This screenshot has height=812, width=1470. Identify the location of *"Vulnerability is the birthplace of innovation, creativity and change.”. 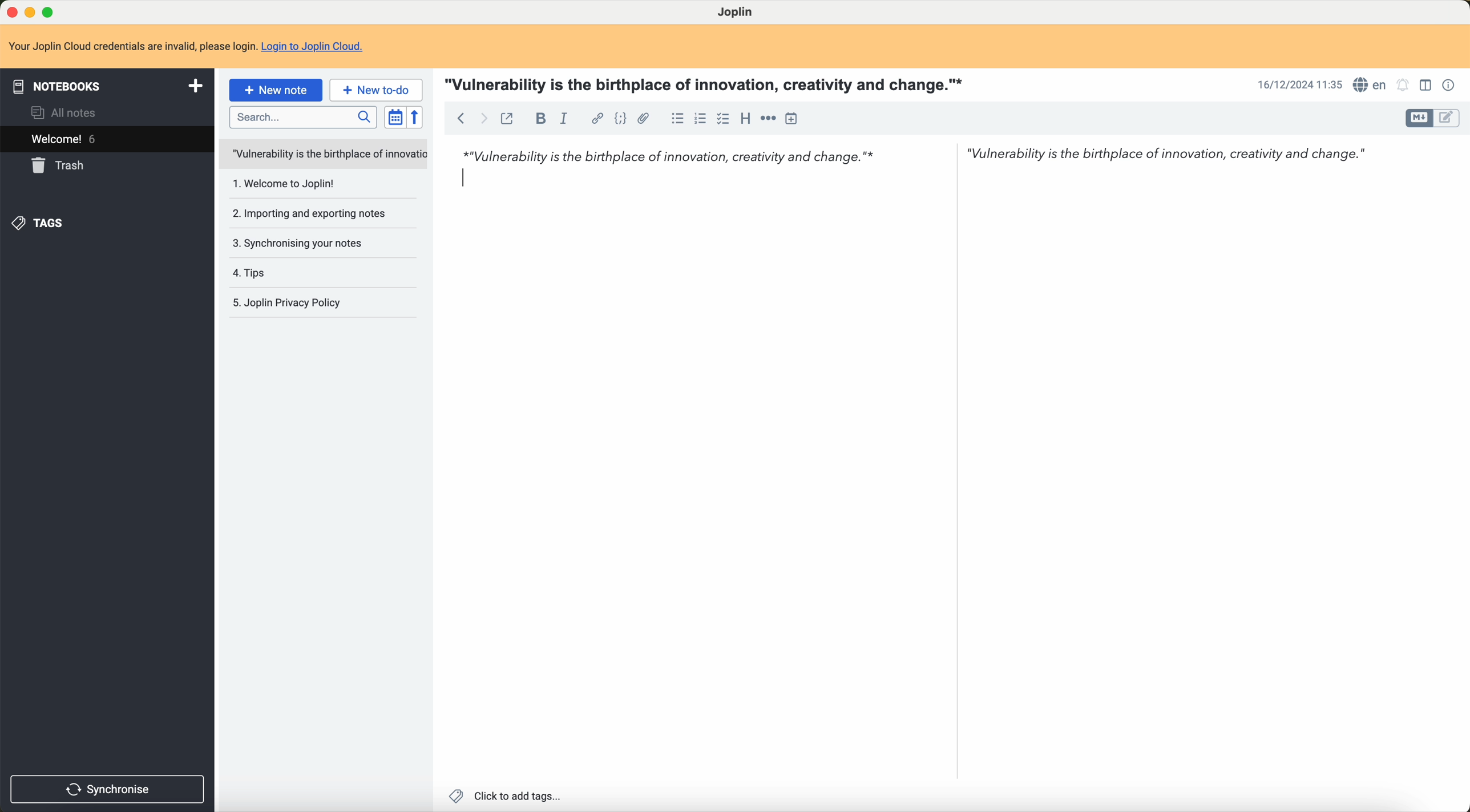
(678, 156).